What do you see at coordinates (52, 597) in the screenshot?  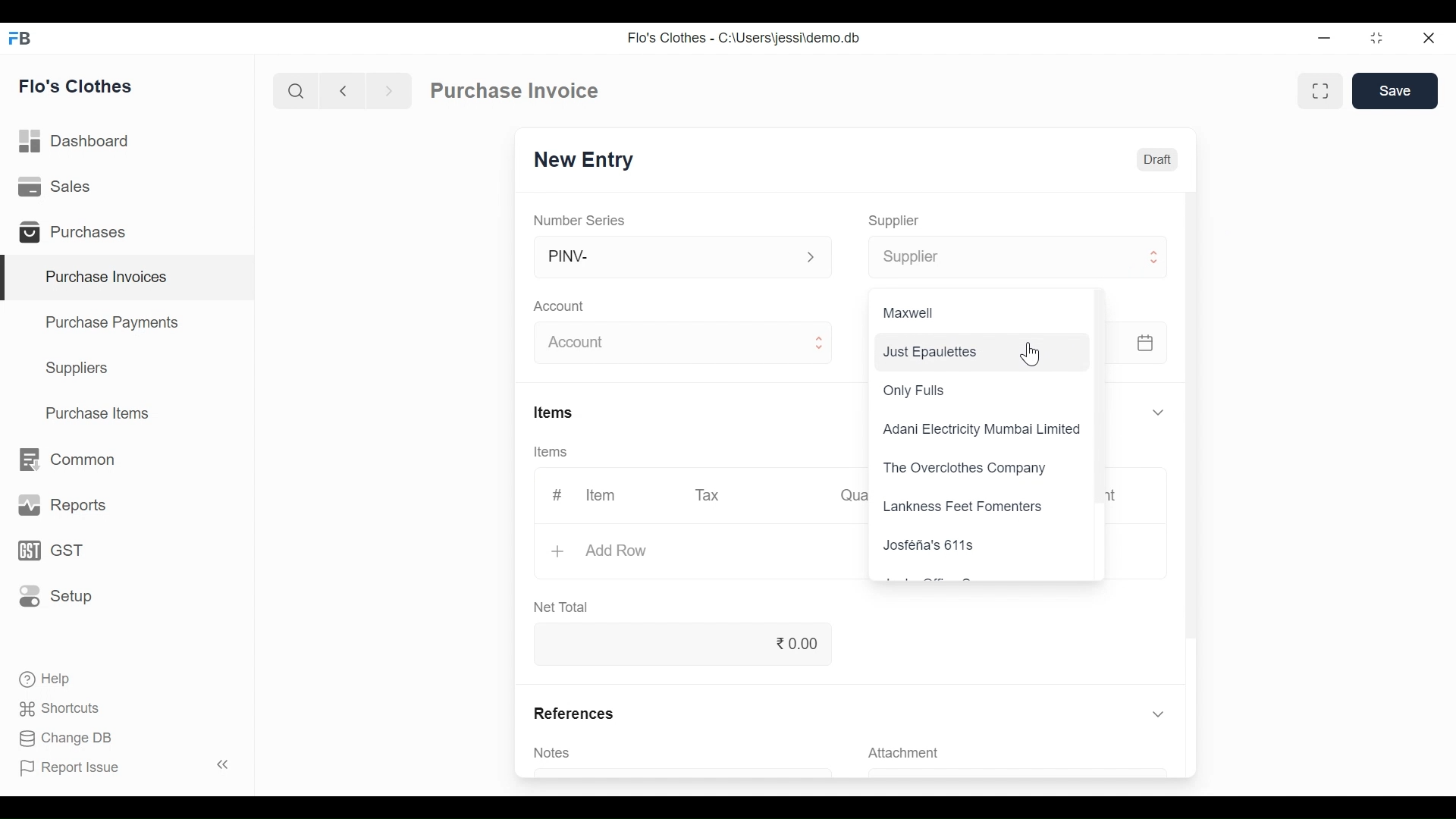 I see `Setup` at bounding box center [52, 597].